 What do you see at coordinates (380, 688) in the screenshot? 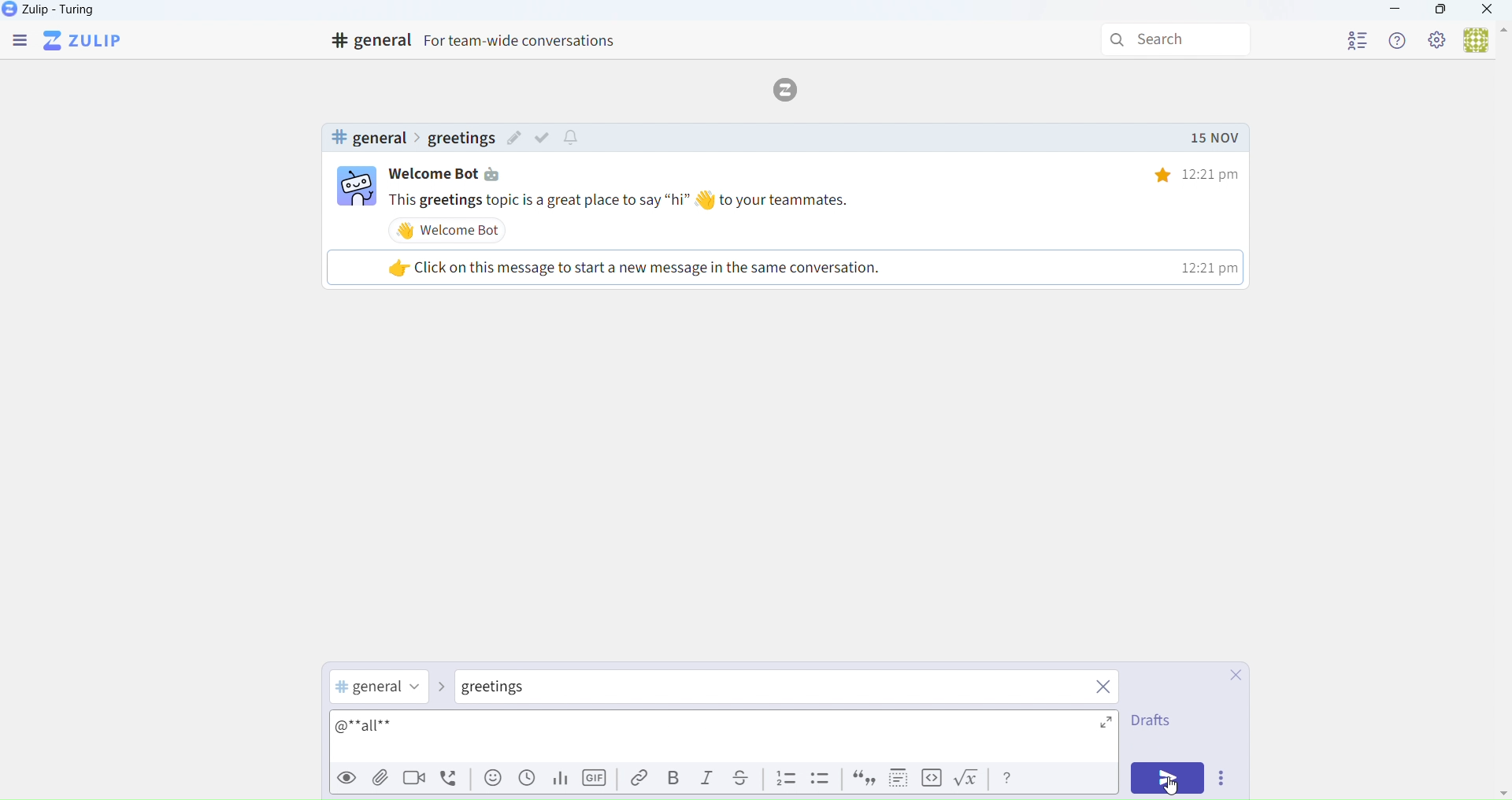
I see `Channel` at bounding box center [380, 688].